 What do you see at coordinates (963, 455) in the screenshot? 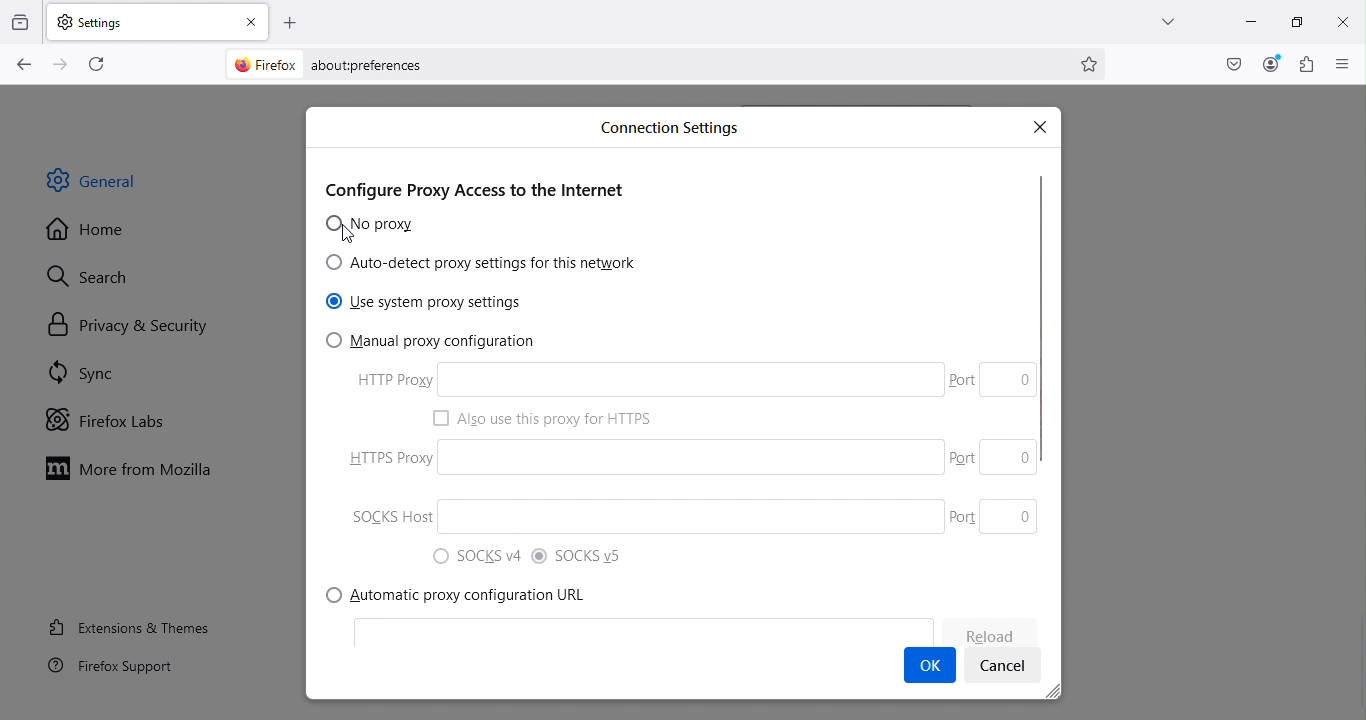
I see `Port` at bounding box center [963, 455].